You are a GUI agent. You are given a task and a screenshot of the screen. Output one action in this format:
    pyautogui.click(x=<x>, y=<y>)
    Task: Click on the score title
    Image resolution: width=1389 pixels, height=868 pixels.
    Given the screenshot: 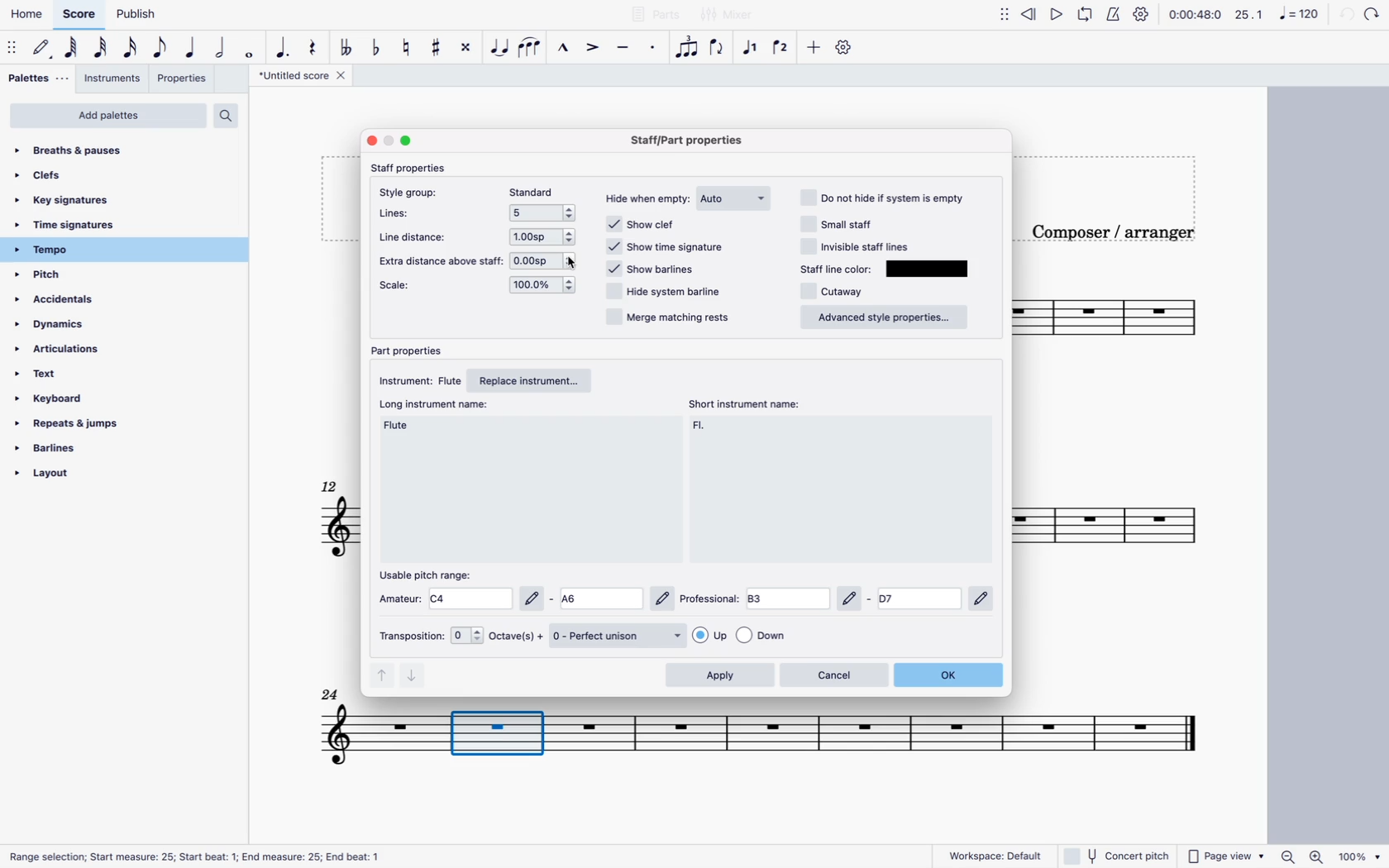 What is the action you would take?
    pyautogui.click(x=304, y=77)
    